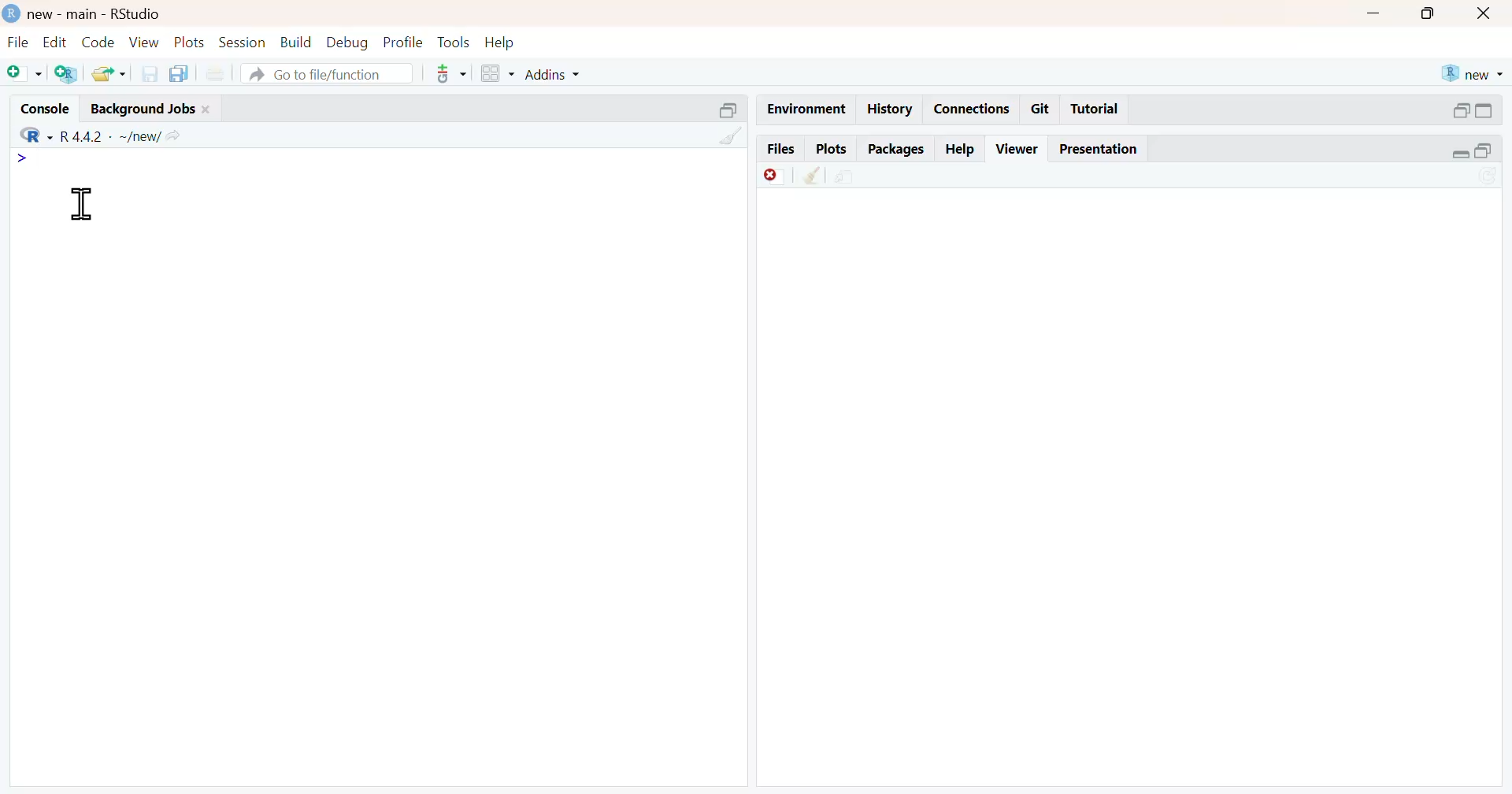 Image resolution: width=1512 pixels, height=794 pixels. I want to click on show in new window, so click(842, 177).